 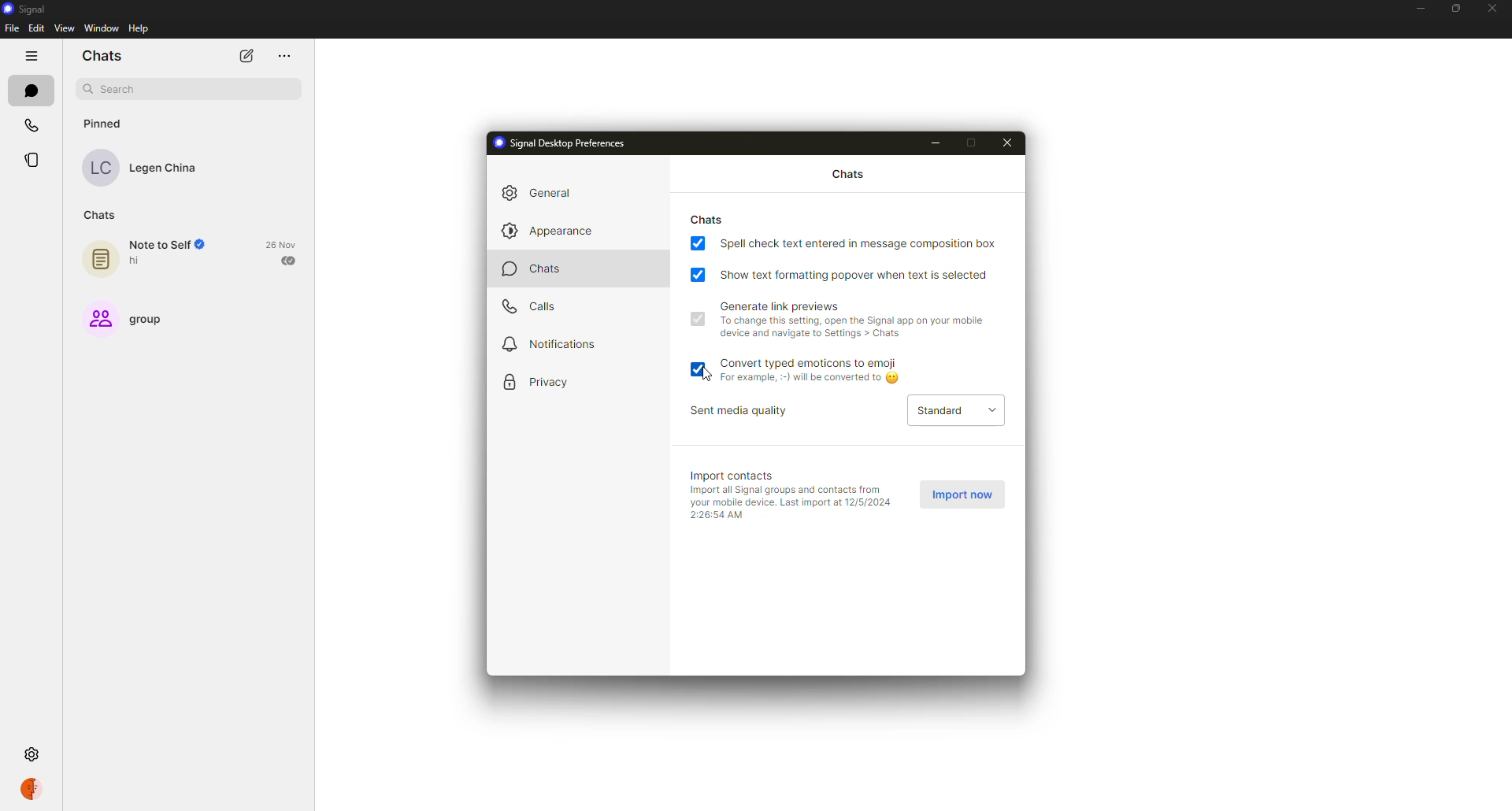 What do you see at coordinates (791, 502) in the screenshot?
I see `info` at bounding box center [791, 502].